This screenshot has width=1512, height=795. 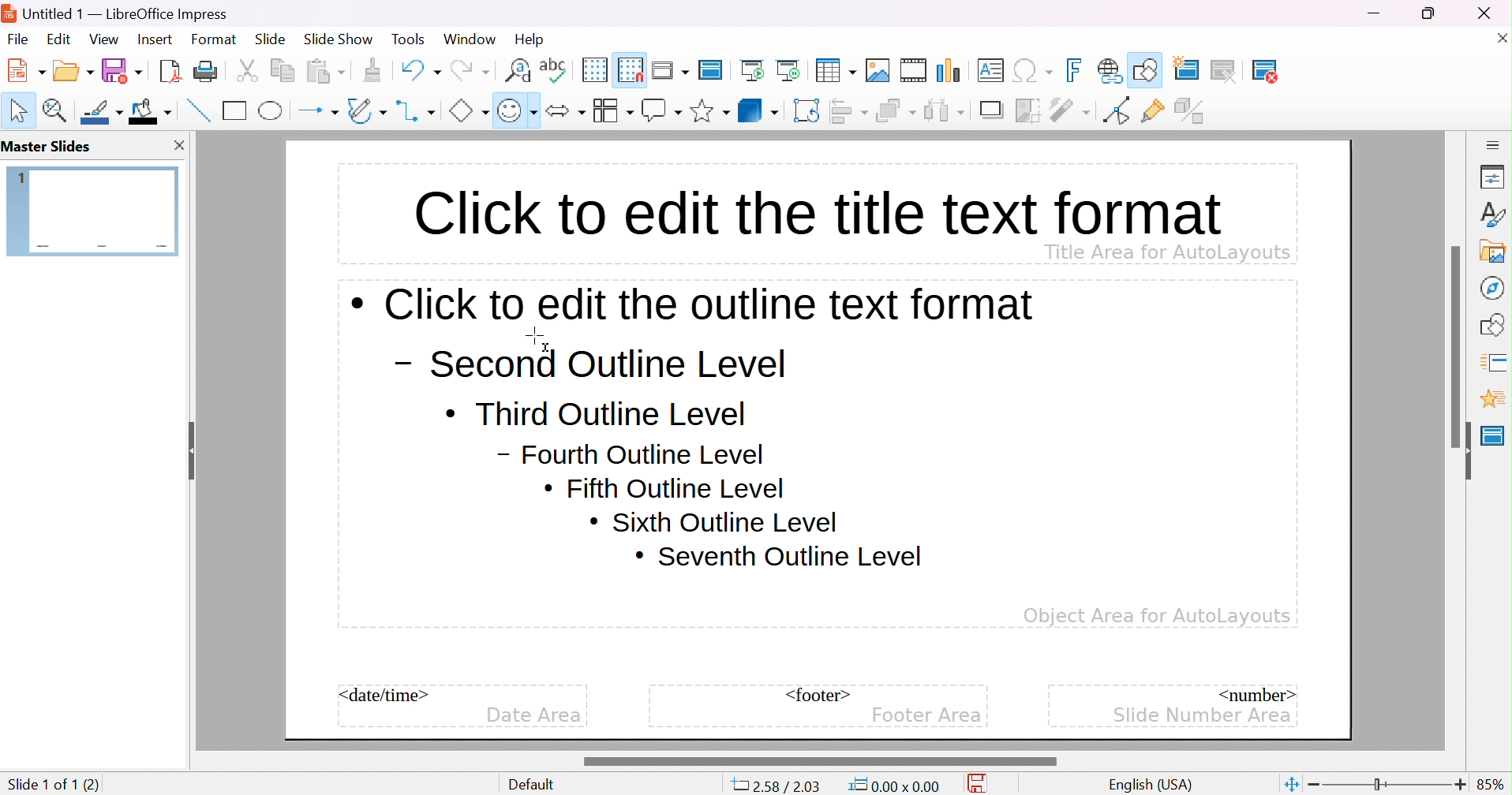 What do you see at coordinates (1494, 144) in the screenshot?
I see `sidebar settings` at bounding box center [1494, 144].